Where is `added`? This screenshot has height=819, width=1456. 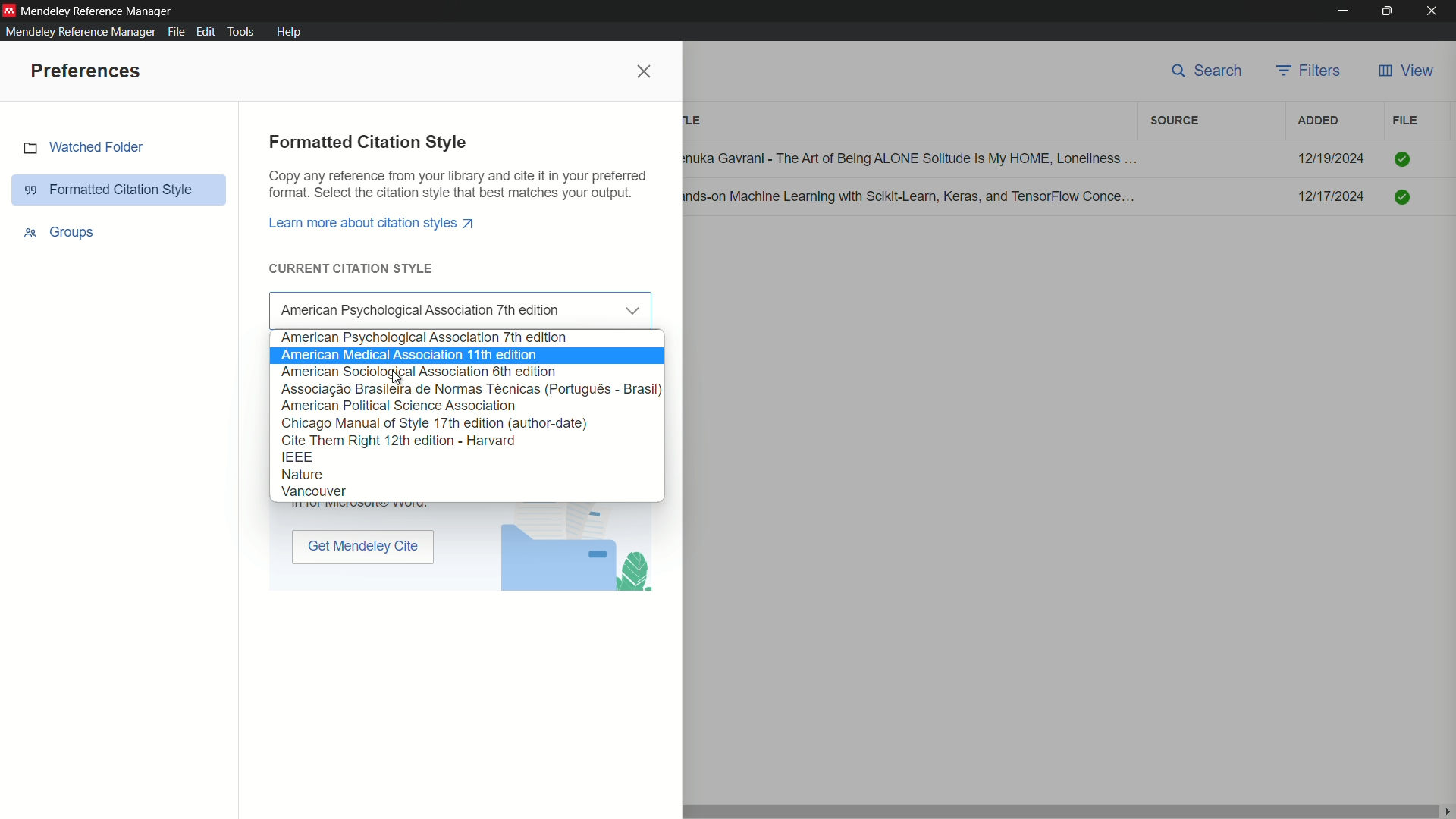 added is located at coordinates (1319, 121).